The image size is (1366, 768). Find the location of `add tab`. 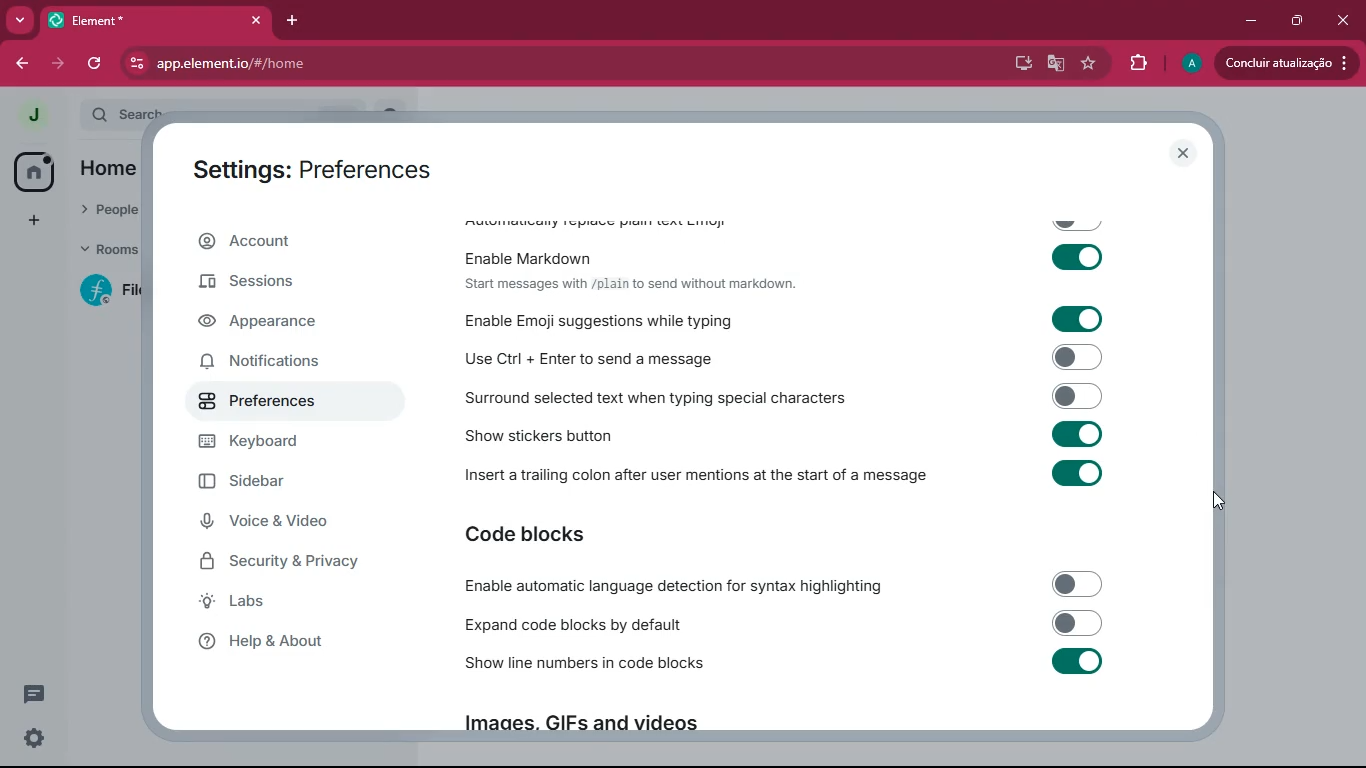

add tab is located at coordinates (291, 20).